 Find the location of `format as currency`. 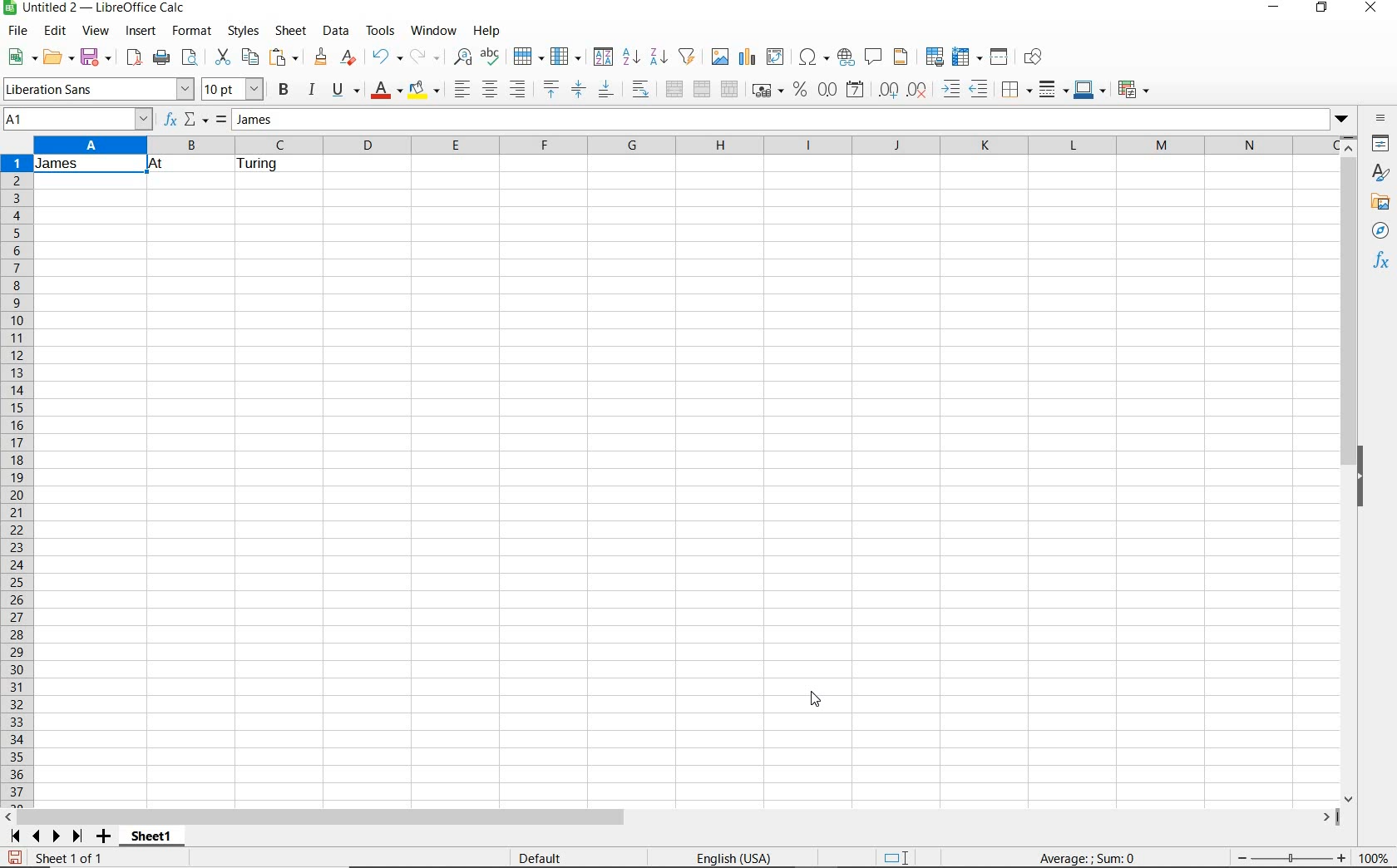

format as currency is located at coordinates (767, 91).